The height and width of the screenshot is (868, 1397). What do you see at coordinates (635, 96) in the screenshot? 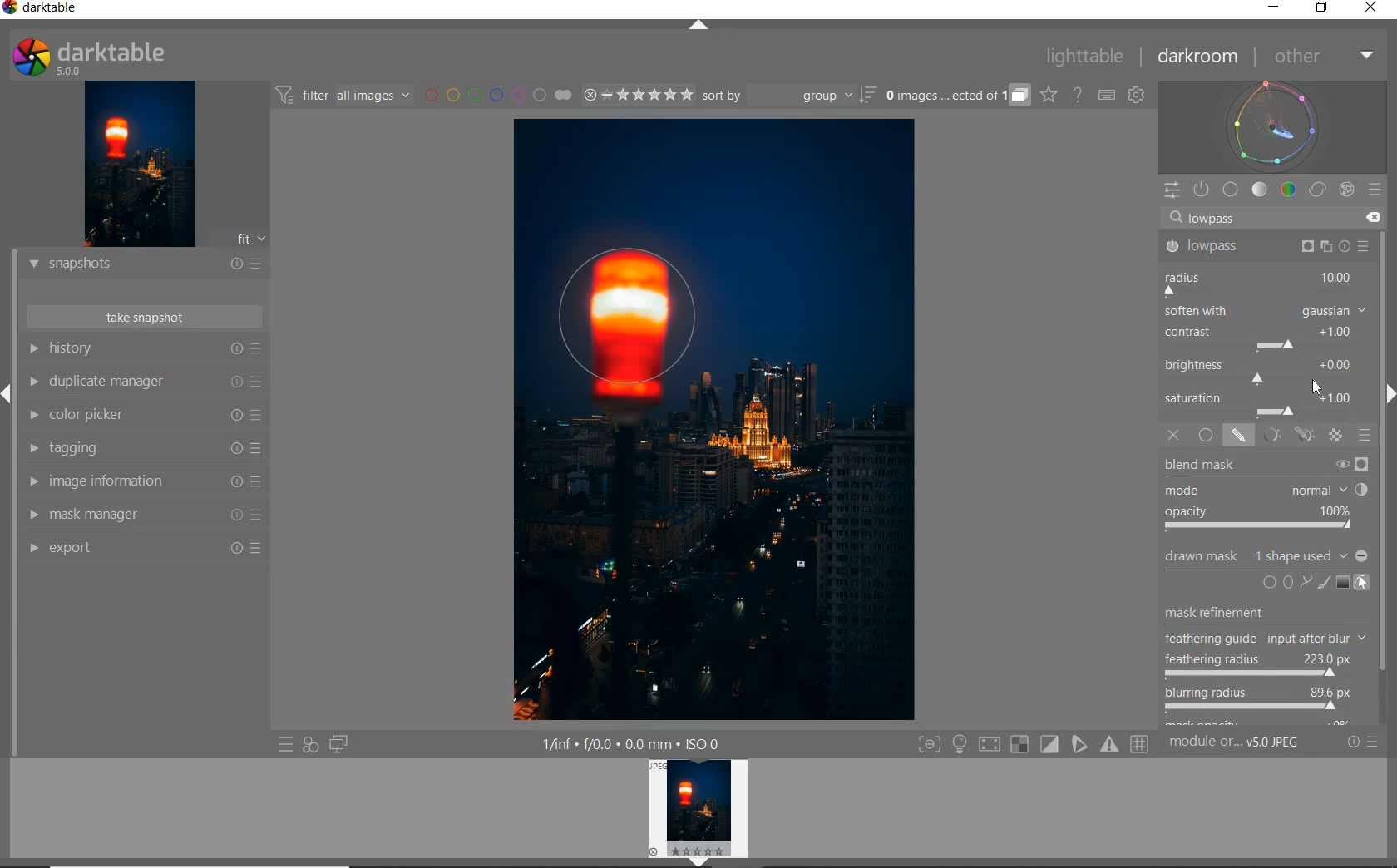
I see `RANGE RATING OF SELECTED IMAGES` at bounding box center [635, 96].